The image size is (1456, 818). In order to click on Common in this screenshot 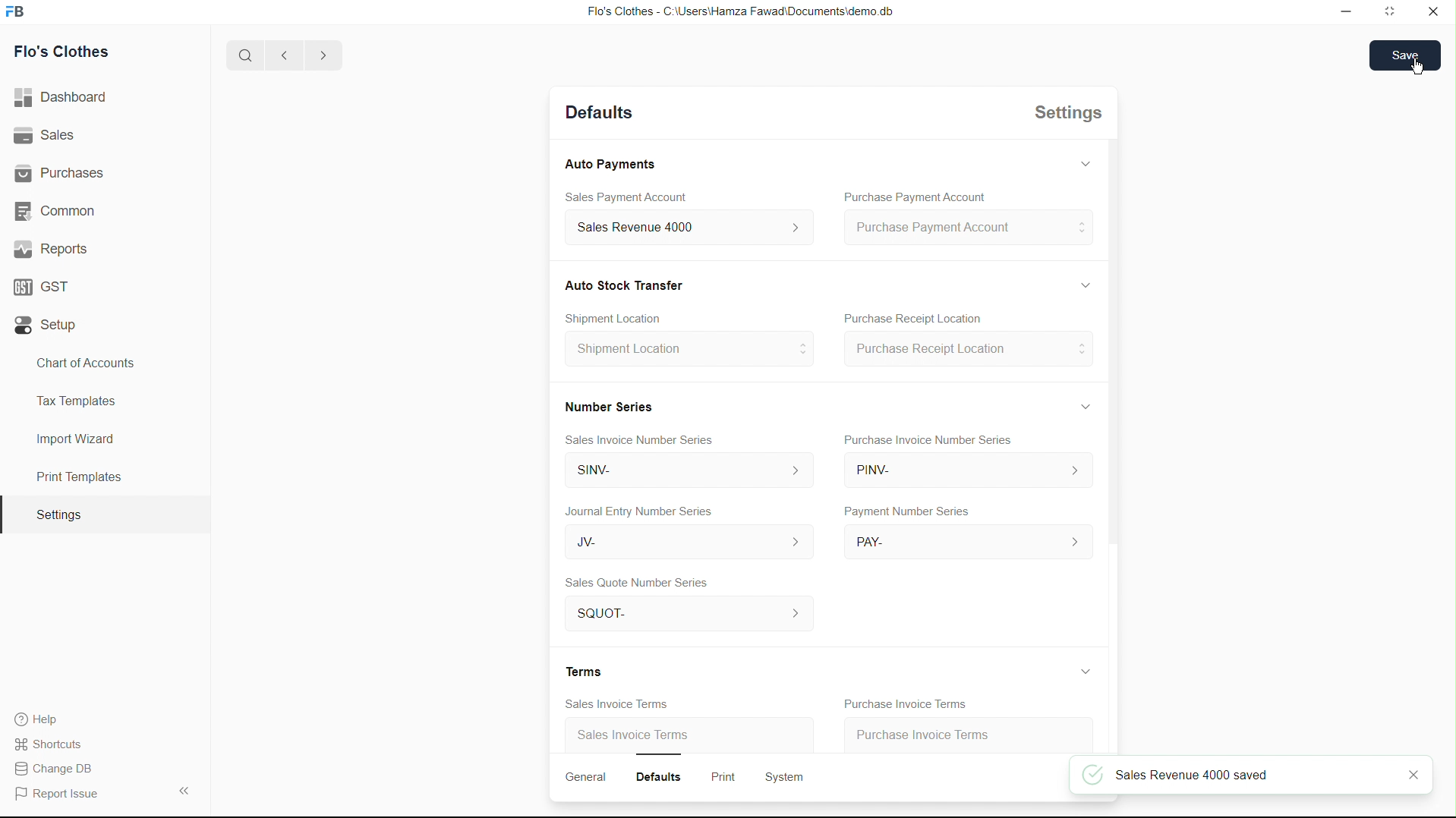, I will do `click(58, 209)`.